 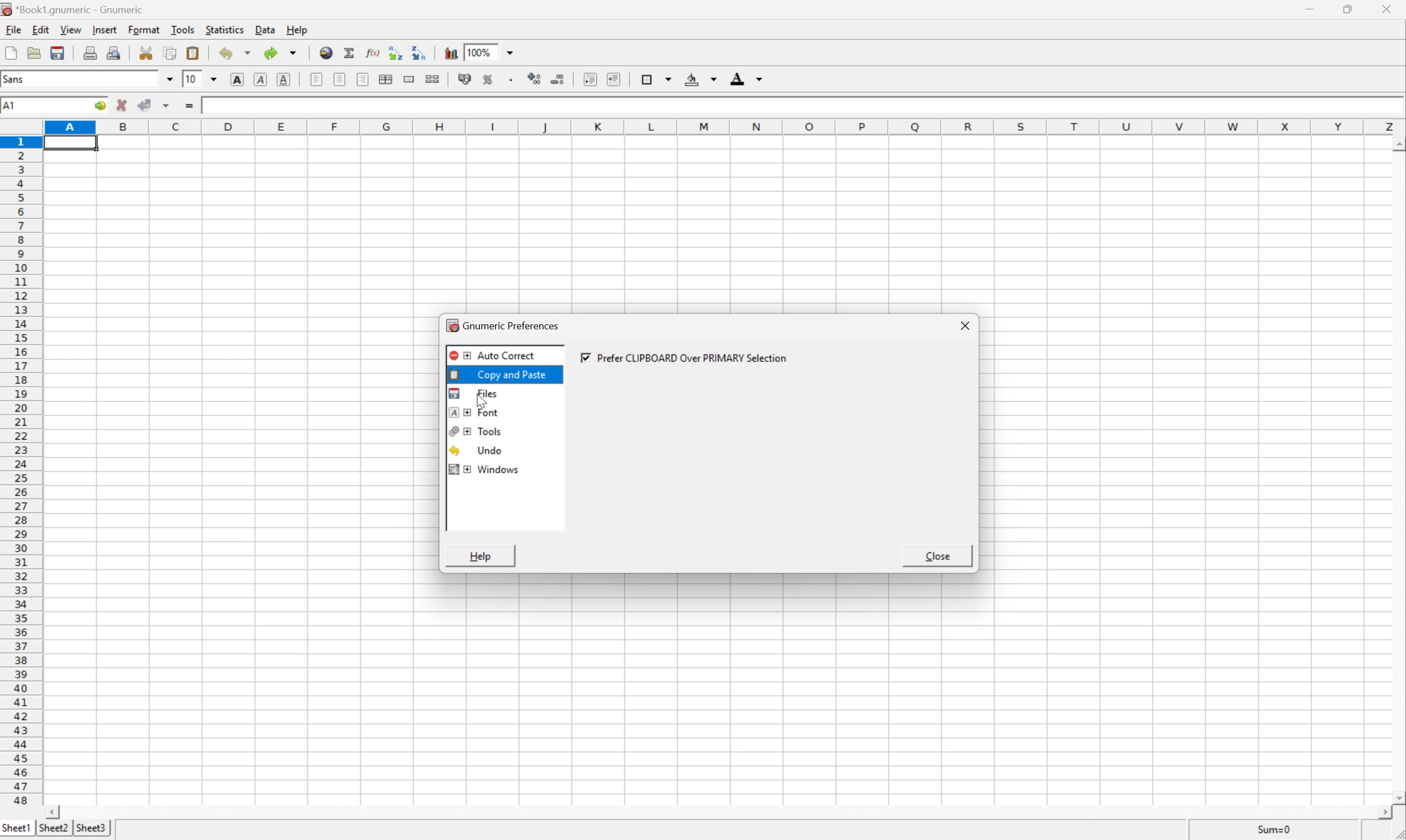 I want to click on sum in current cell, so click(x=350, y=53).